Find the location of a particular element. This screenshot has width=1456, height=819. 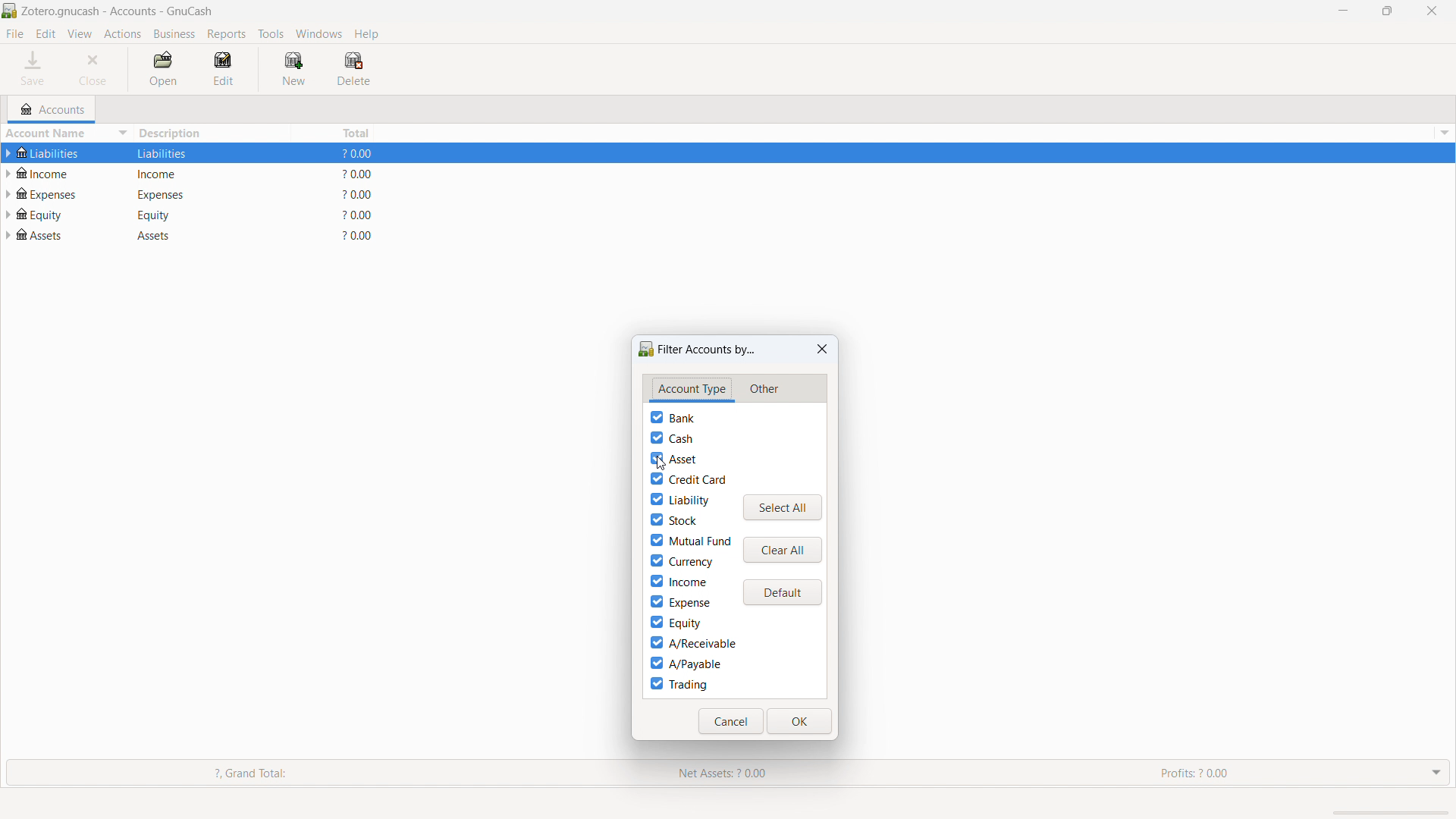

expenses is located at coordinates (54, 192).